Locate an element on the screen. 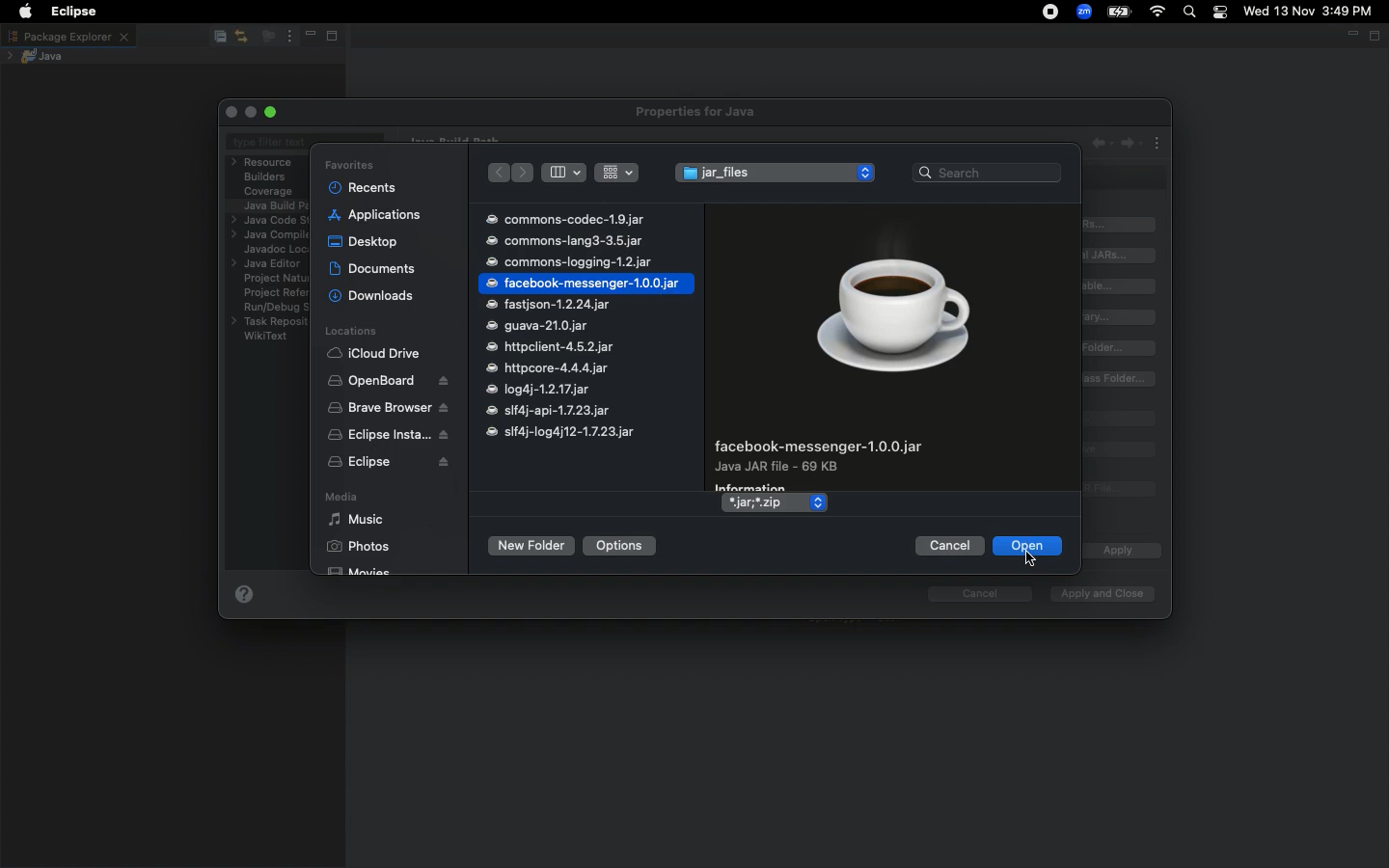 The image size is (1389, 868). Music is located at coordinates (356, 520).